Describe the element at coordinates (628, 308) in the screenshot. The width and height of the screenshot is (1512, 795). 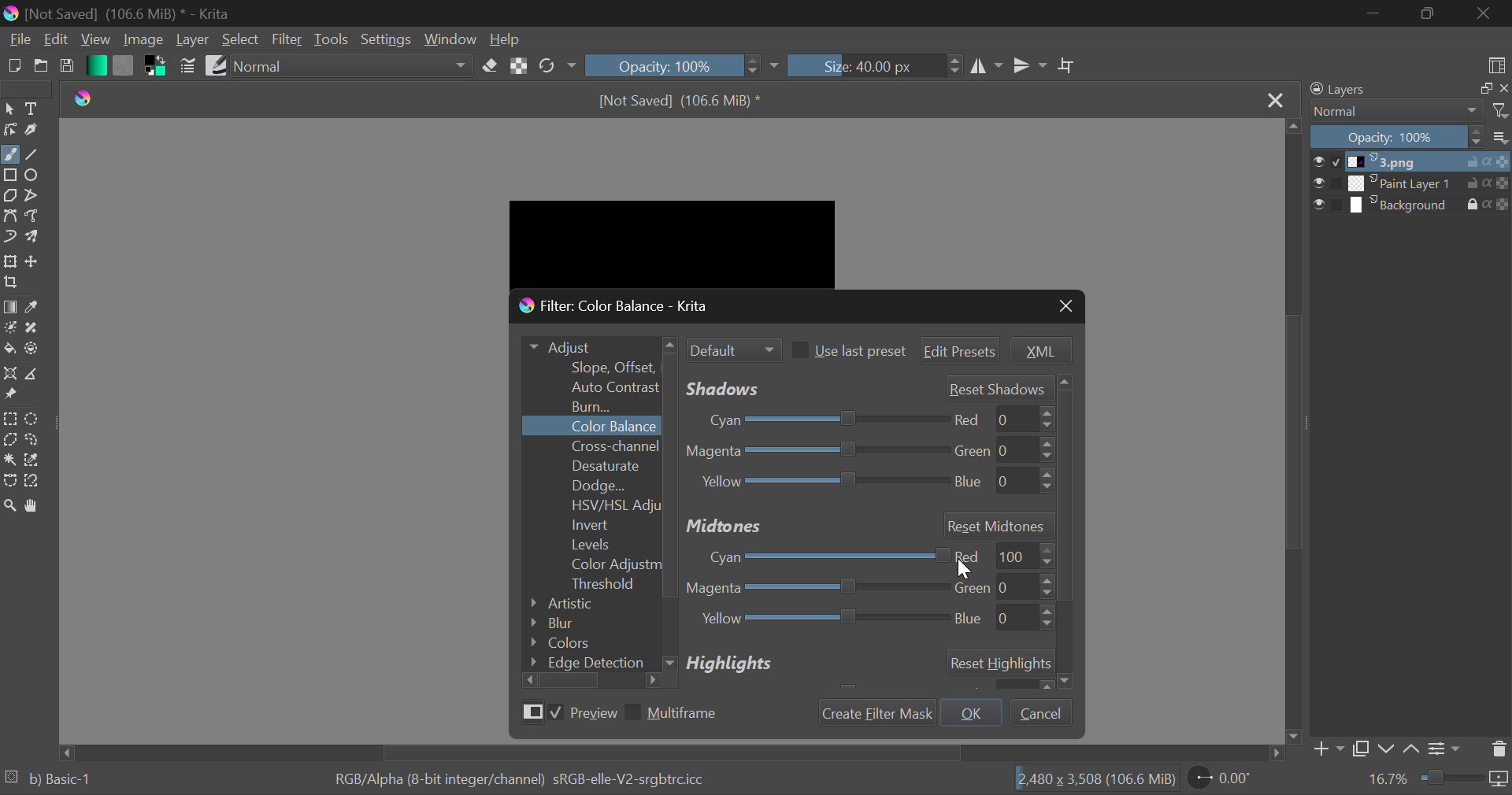
I see `Window Title` at that location.